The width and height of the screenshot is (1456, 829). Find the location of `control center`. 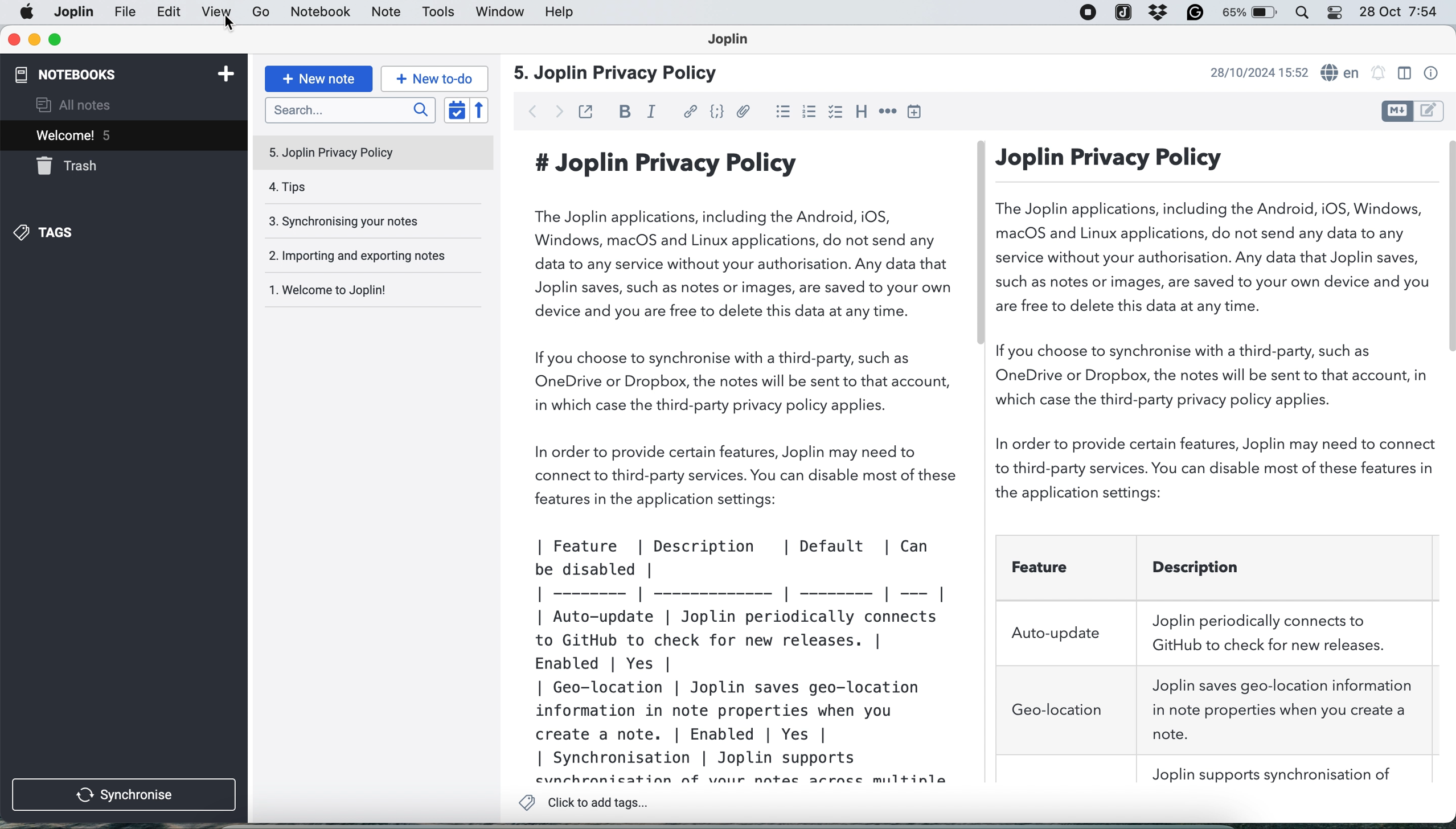

control center is located at coordinates (1338, 13).